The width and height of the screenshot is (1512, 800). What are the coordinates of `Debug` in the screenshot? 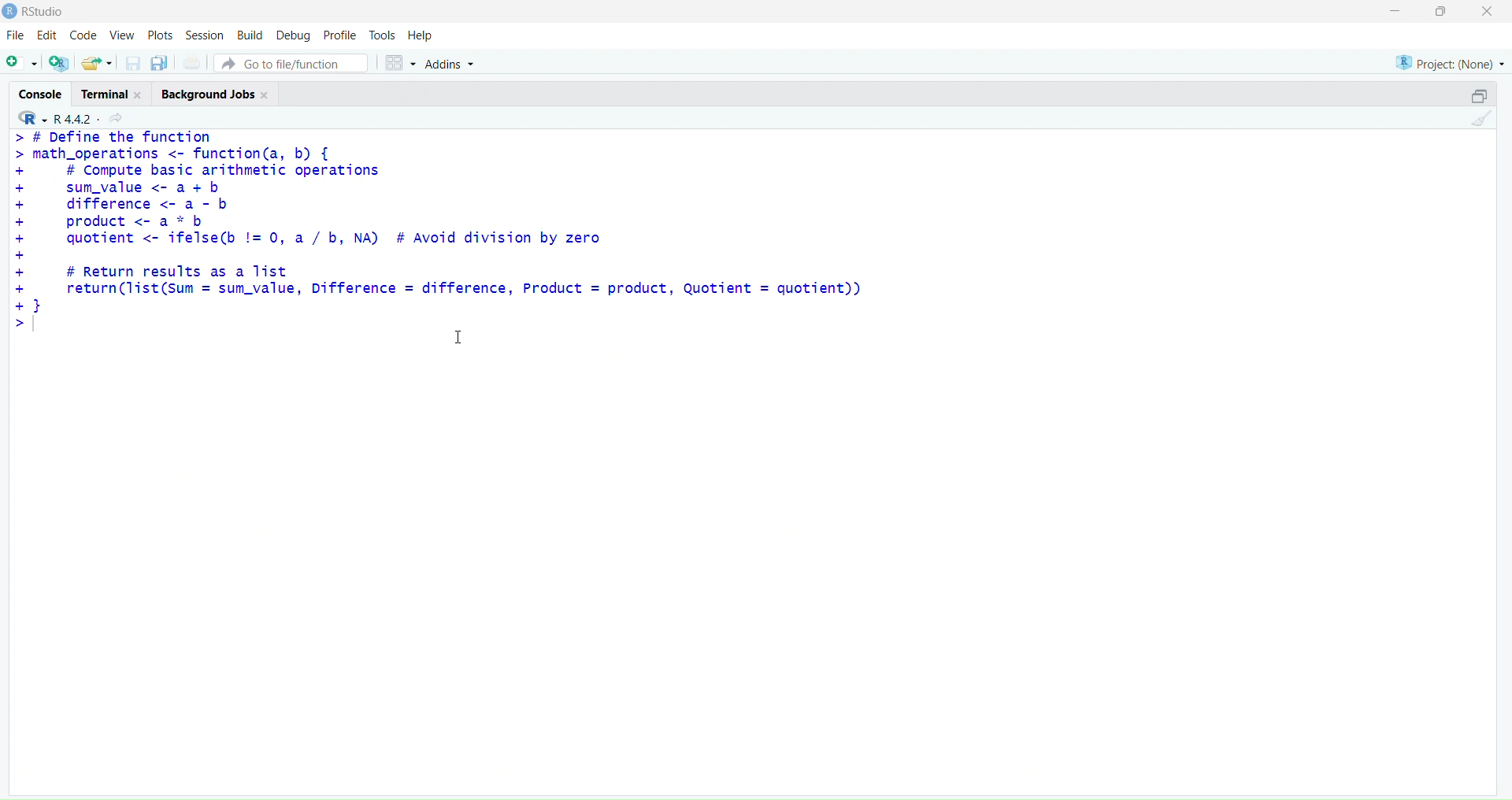 It's located at (291, 34).